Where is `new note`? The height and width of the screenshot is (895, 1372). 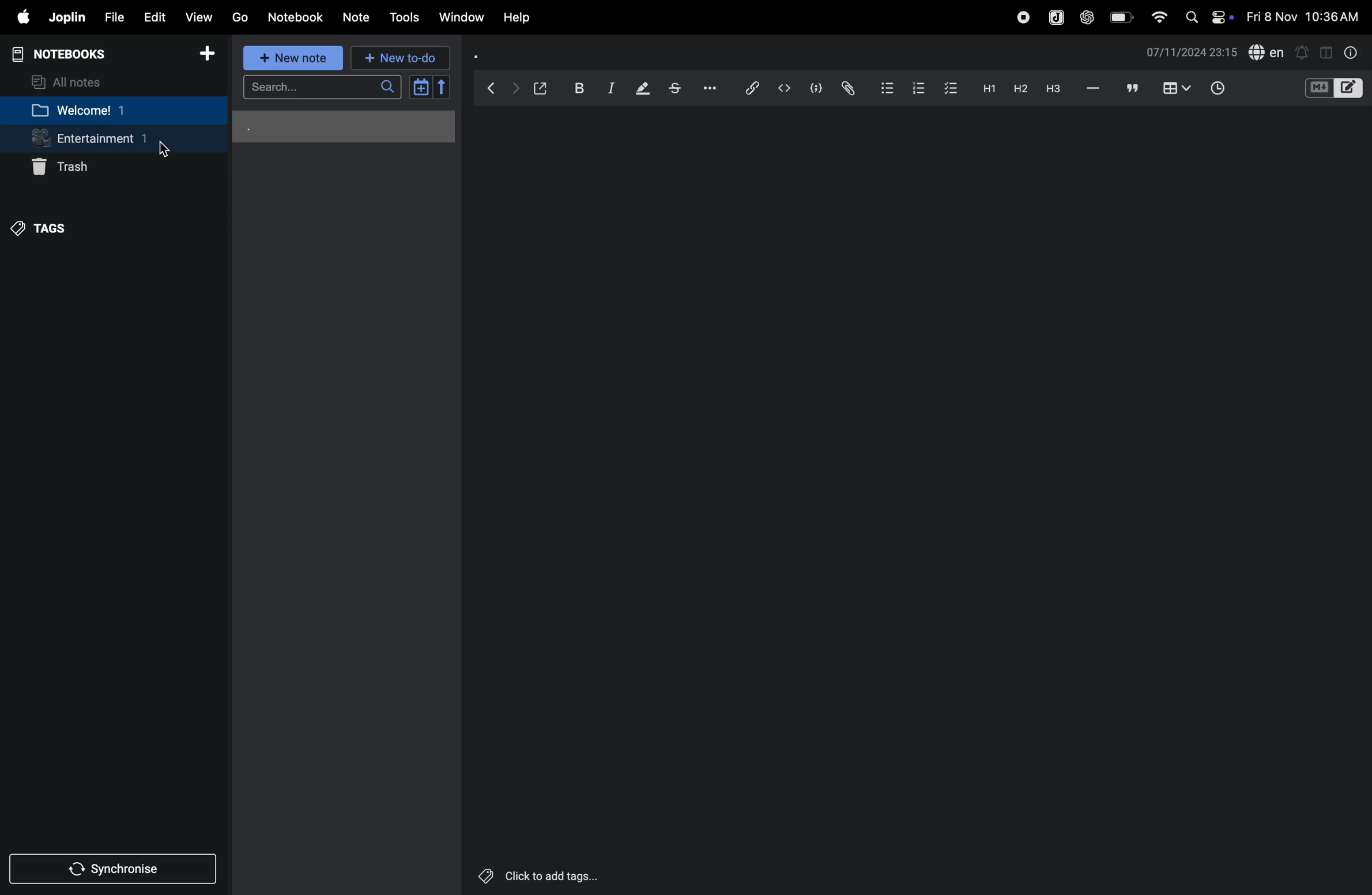
new note is located at coordinates (290, 57).